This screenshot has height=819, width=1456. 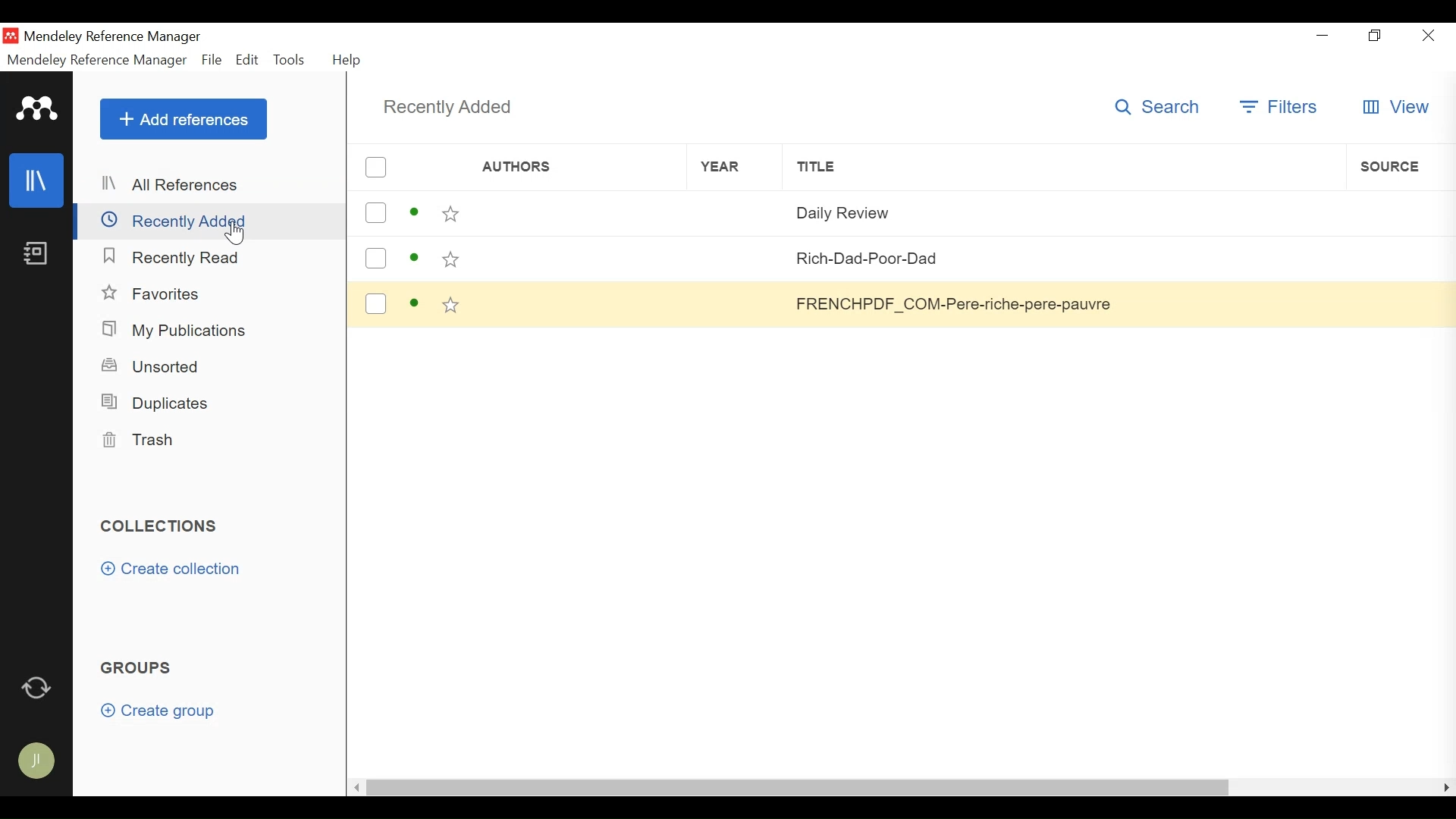 What do you see at coordinates (210, 186) in the screenshot?
I see `All References` at bounding box center [210, 186].